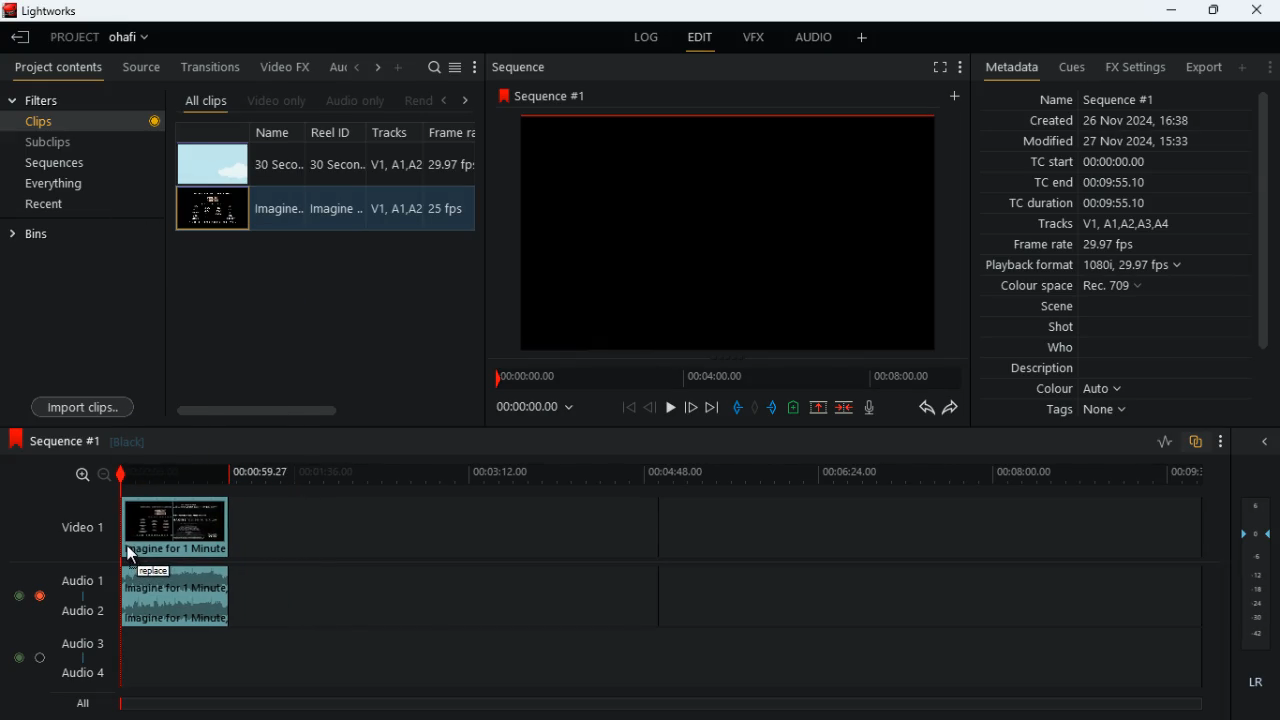 Image resolution: width=1280 pixels, height=720 pixels. What do you see at coordinates (1247, 68) in the screenshot?
I see `add` at bounding box center [1247, 68].